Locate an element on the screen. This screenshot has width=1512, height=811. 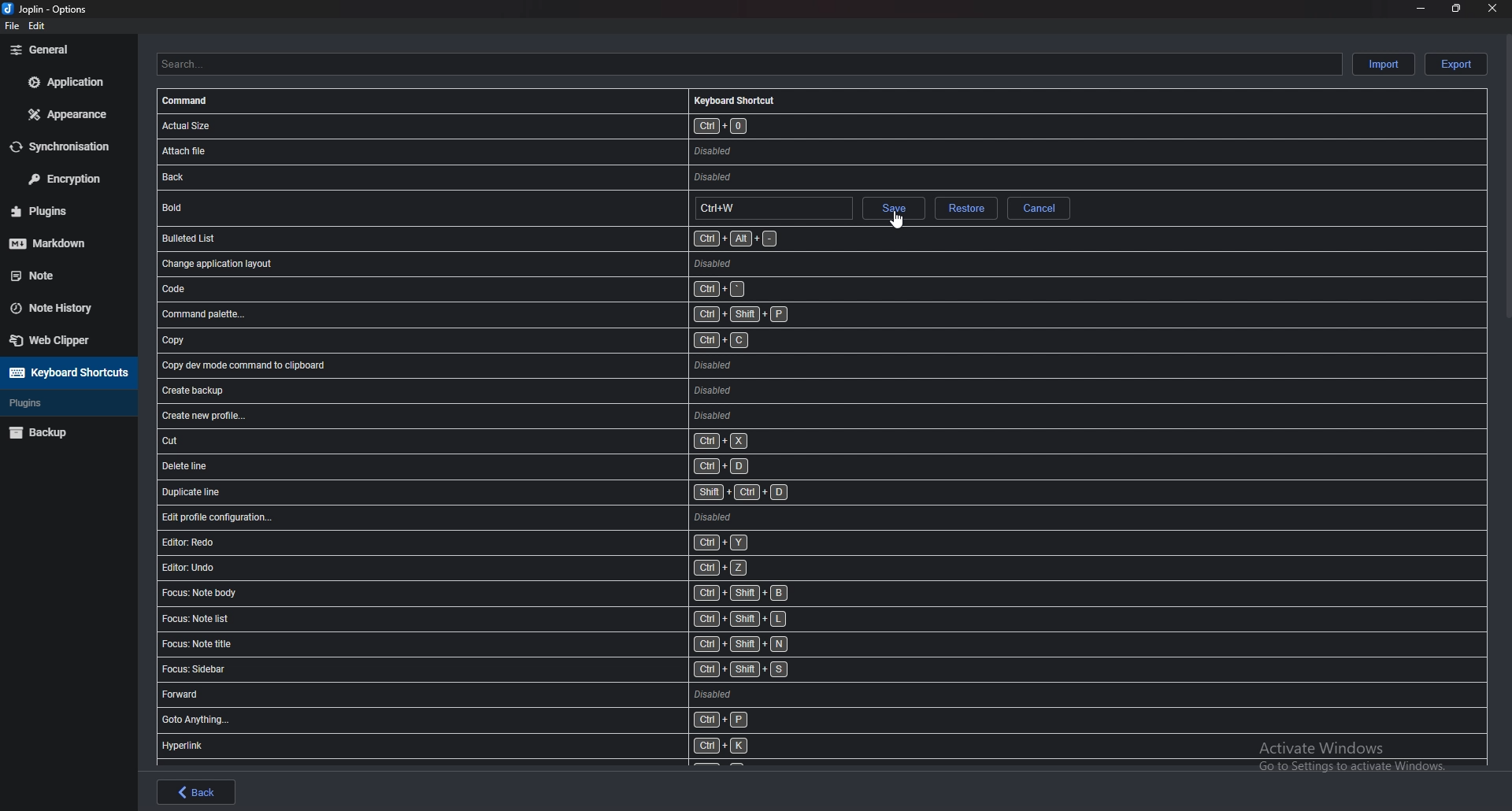
shortcut is located at coordinates (422, 206).